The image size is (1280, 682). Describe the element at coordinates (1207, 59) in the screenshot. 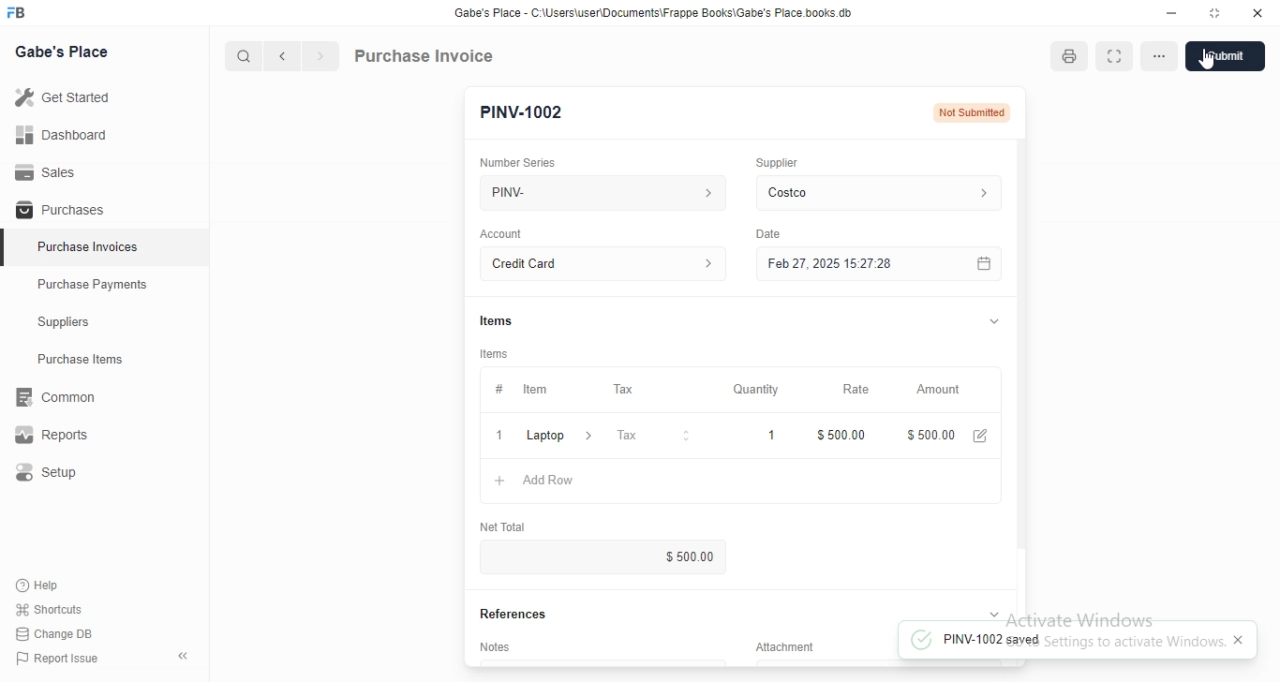

I see `Cursor` at that location.